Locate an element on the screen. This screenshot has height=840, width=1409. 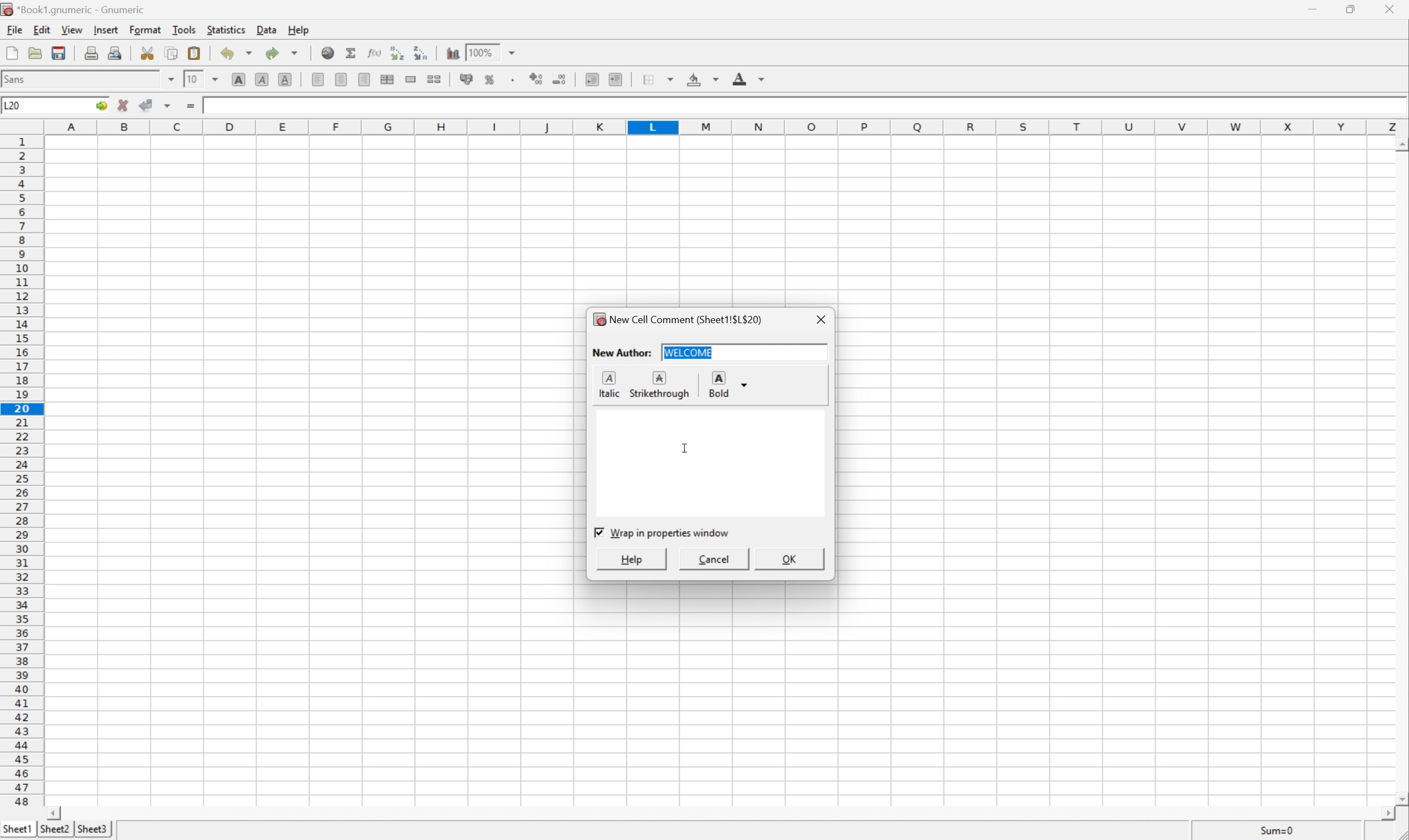
Italic is located at coordinates (609, 383).